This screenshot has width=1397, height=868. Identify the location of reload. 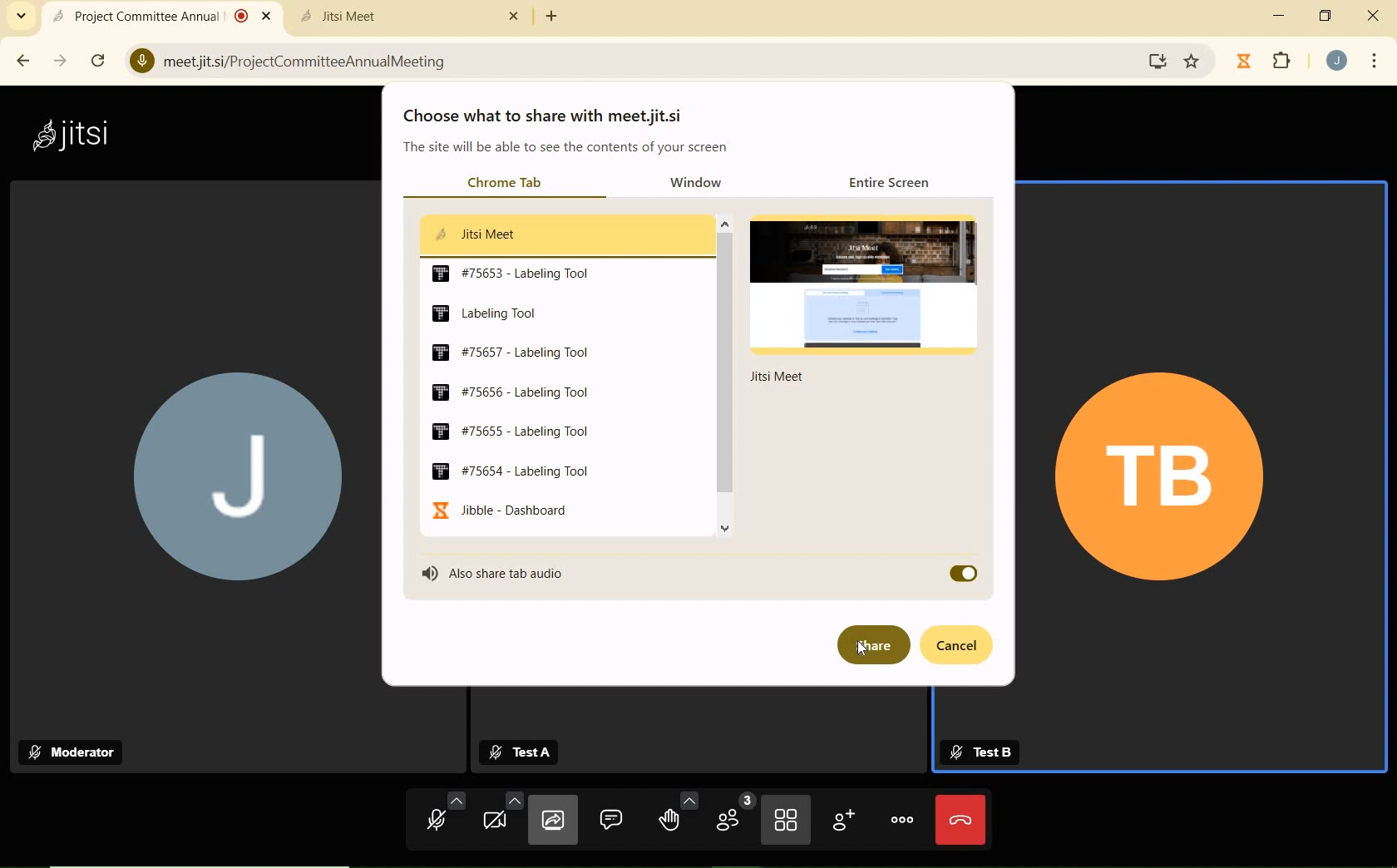
(98, 60).